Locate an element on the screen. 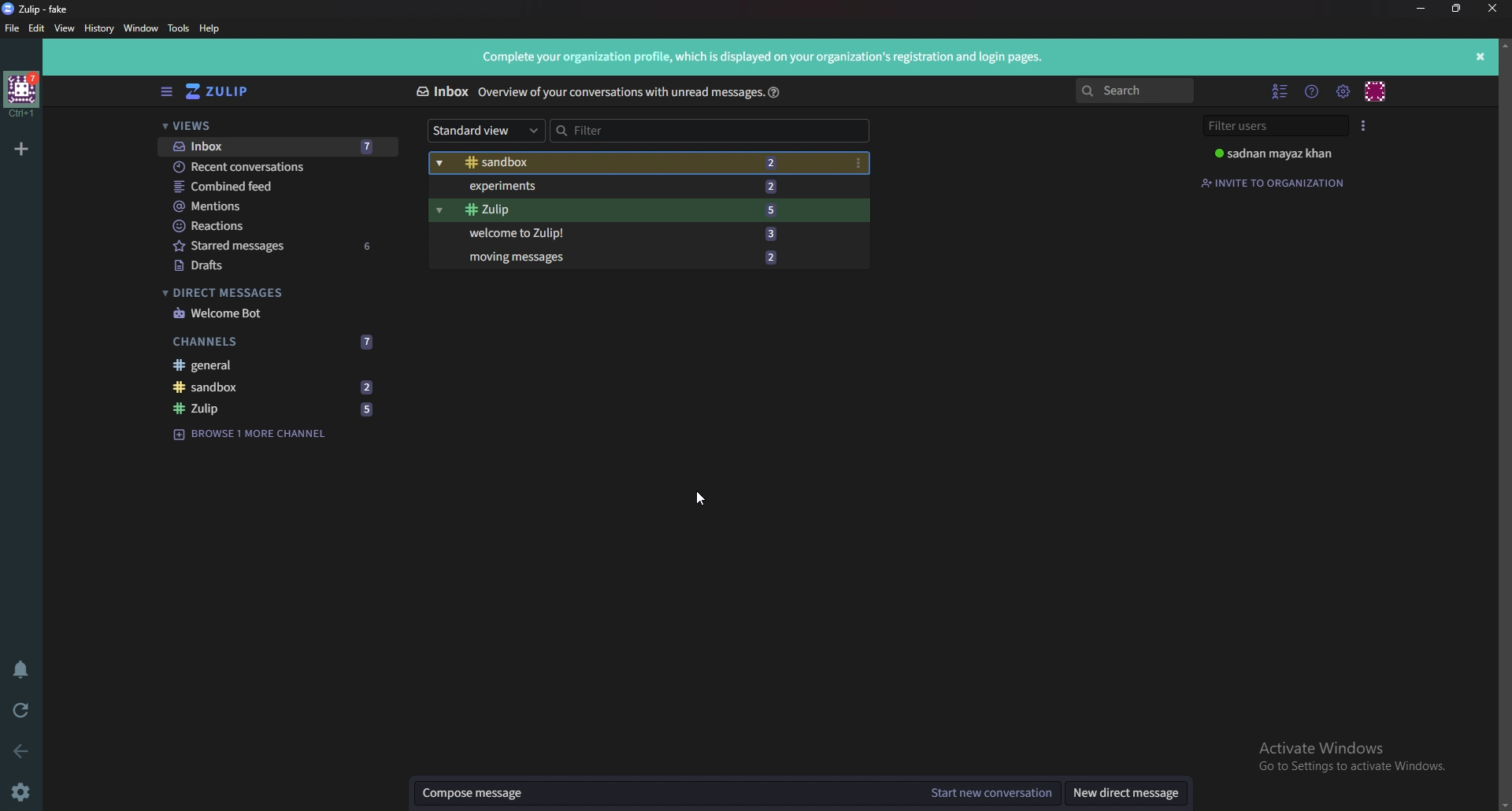 The image size is (1512, 811). Main menu is located at coordinates (1343, 91).